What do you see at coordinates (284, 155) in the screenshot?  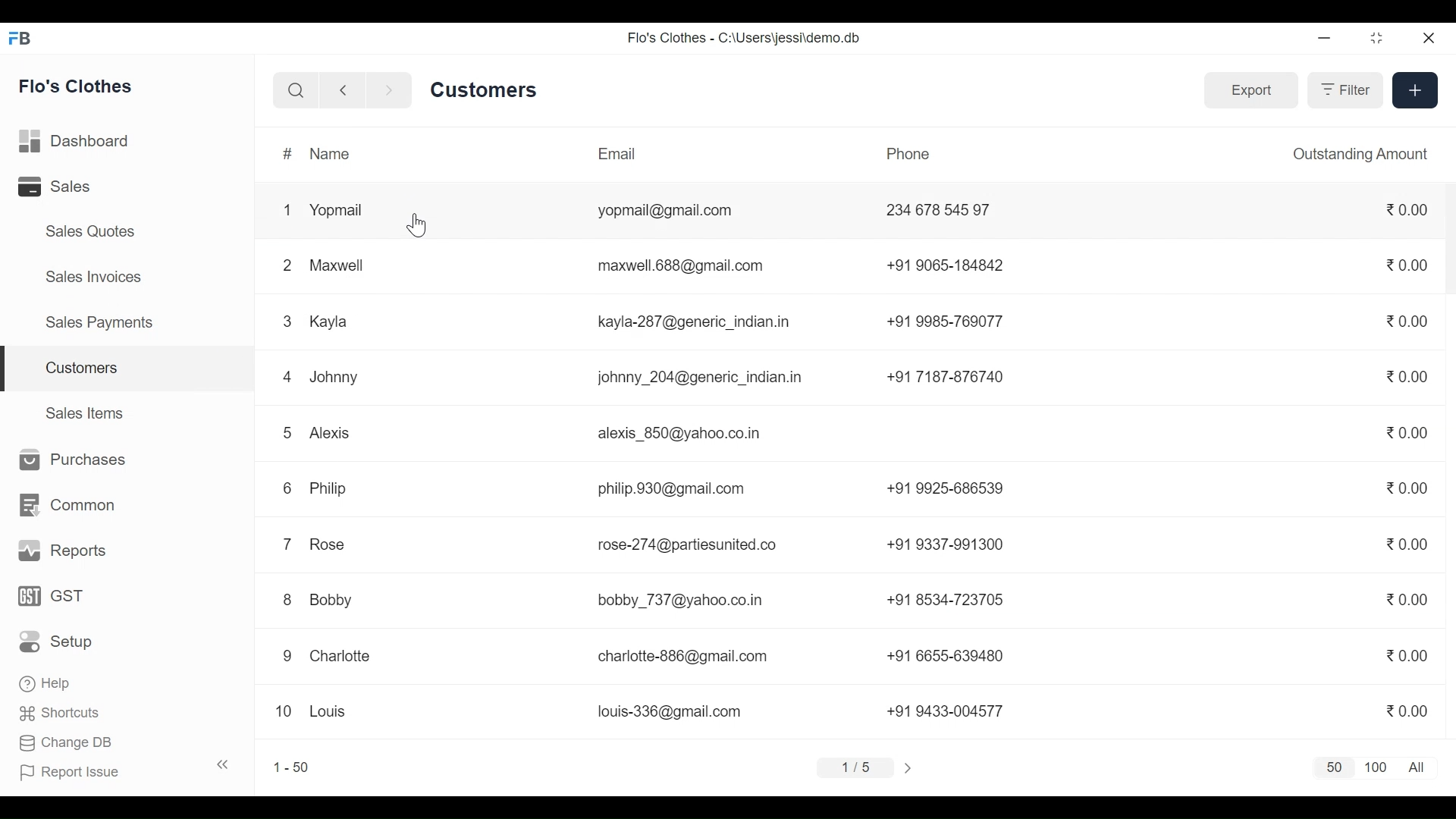 I see `#` at bounding box center [284, 155].